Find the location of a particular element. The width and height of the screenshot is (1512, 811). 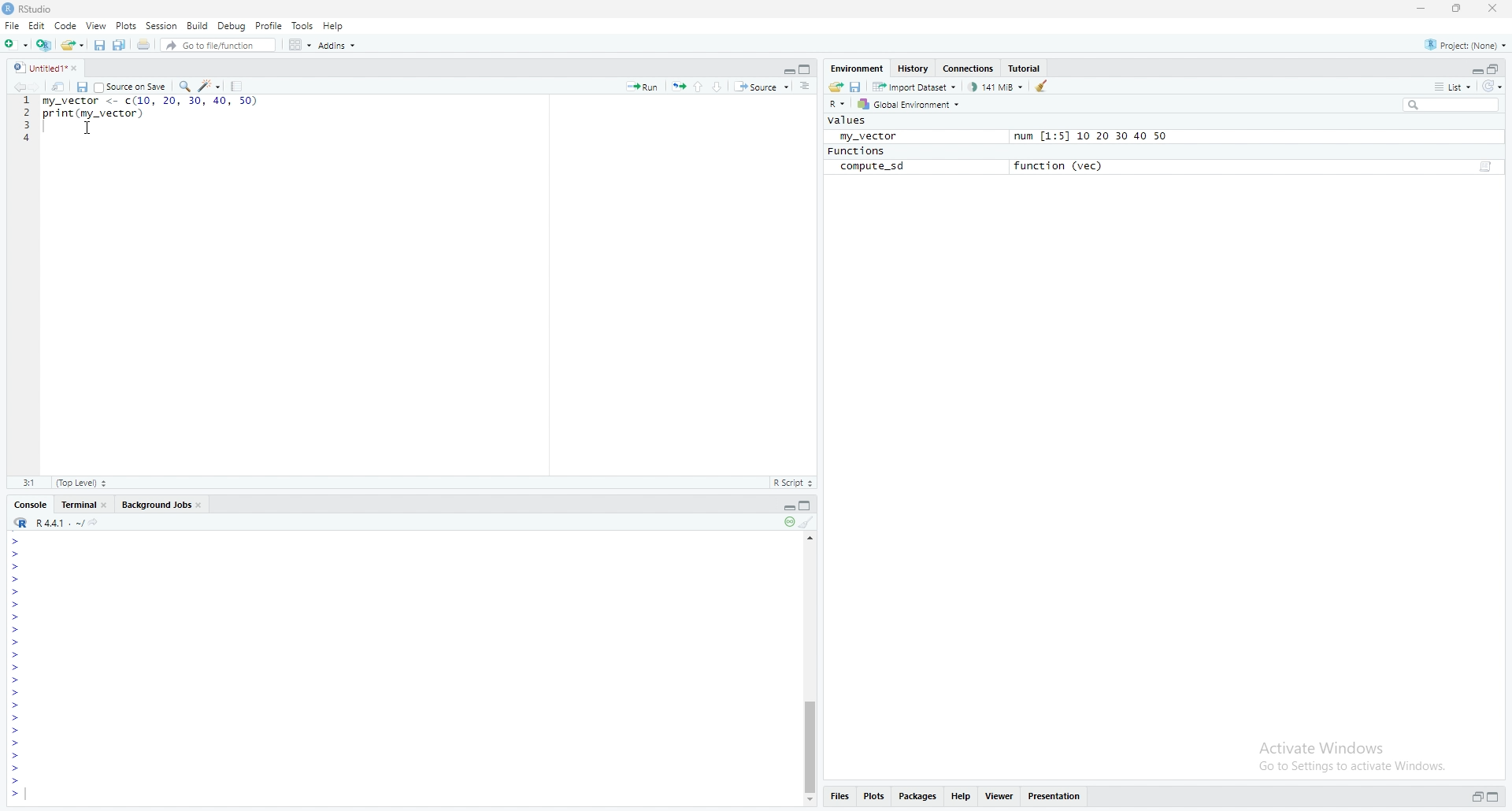

Minimize is located at coordinates (785, 506).